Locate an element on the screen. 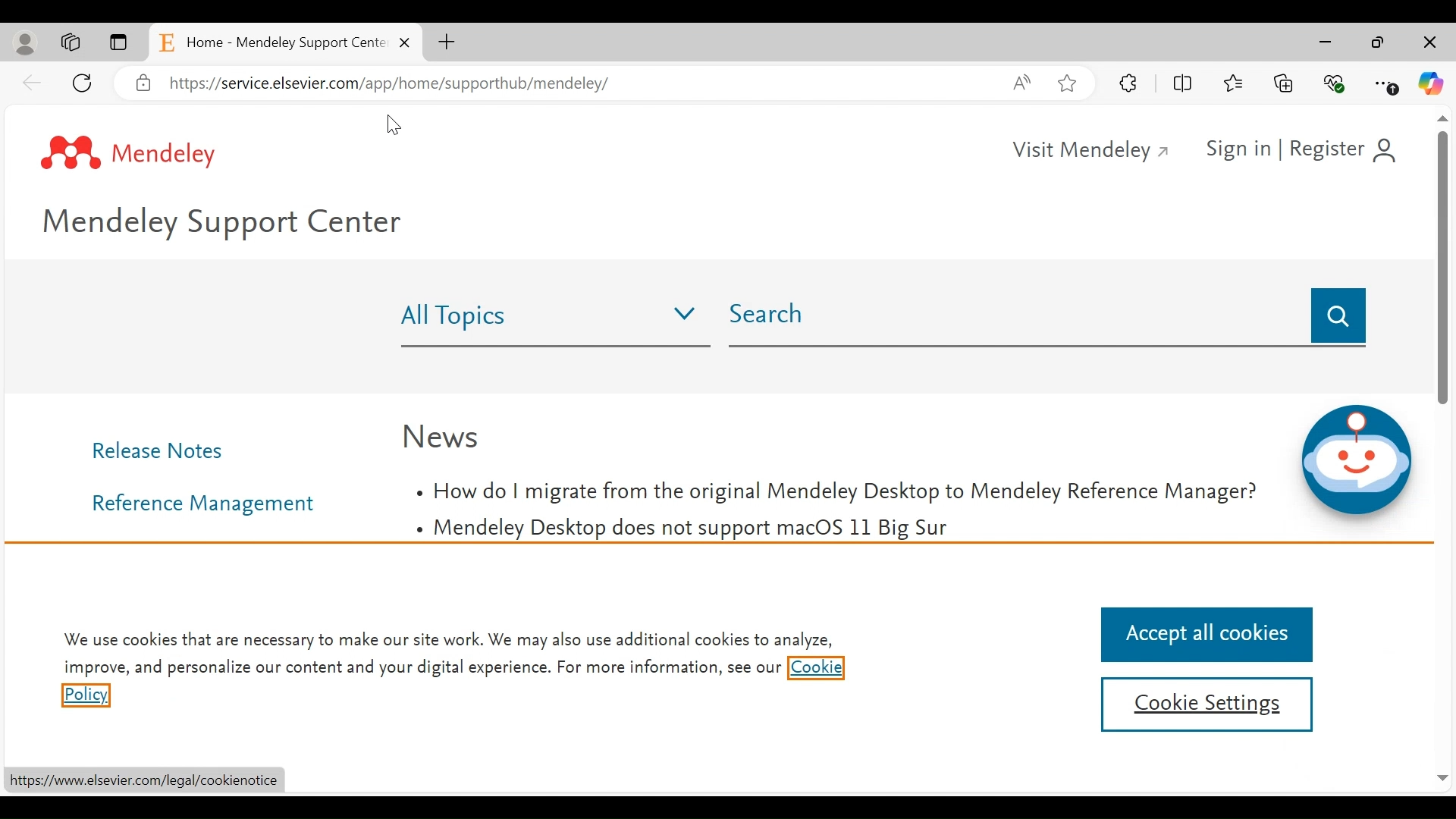  Search is located at coordinates (1015, 318).